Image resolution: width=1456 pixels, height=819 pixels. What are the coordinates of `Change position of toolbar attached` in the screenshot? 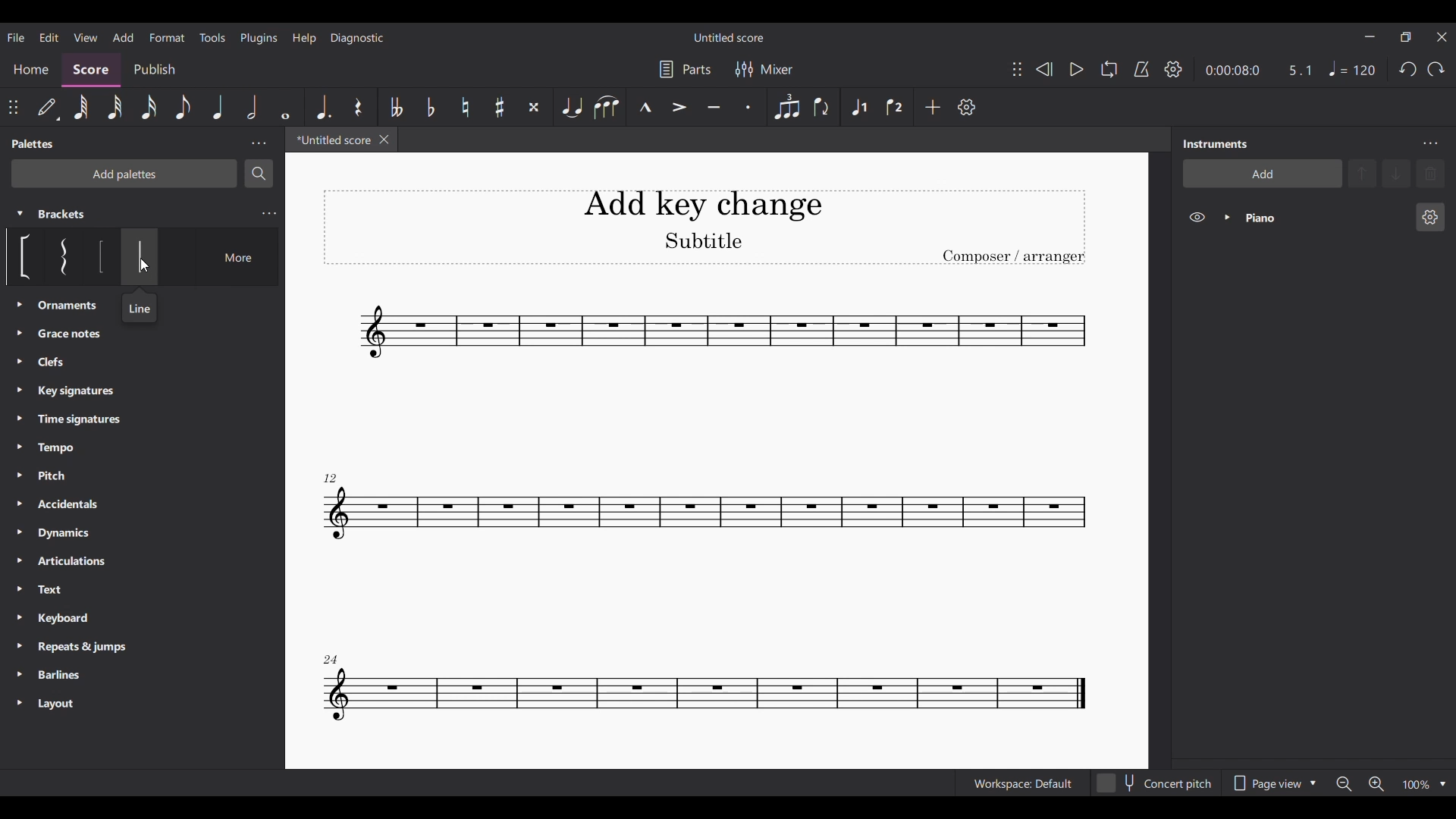 It's located at (1017, 69).